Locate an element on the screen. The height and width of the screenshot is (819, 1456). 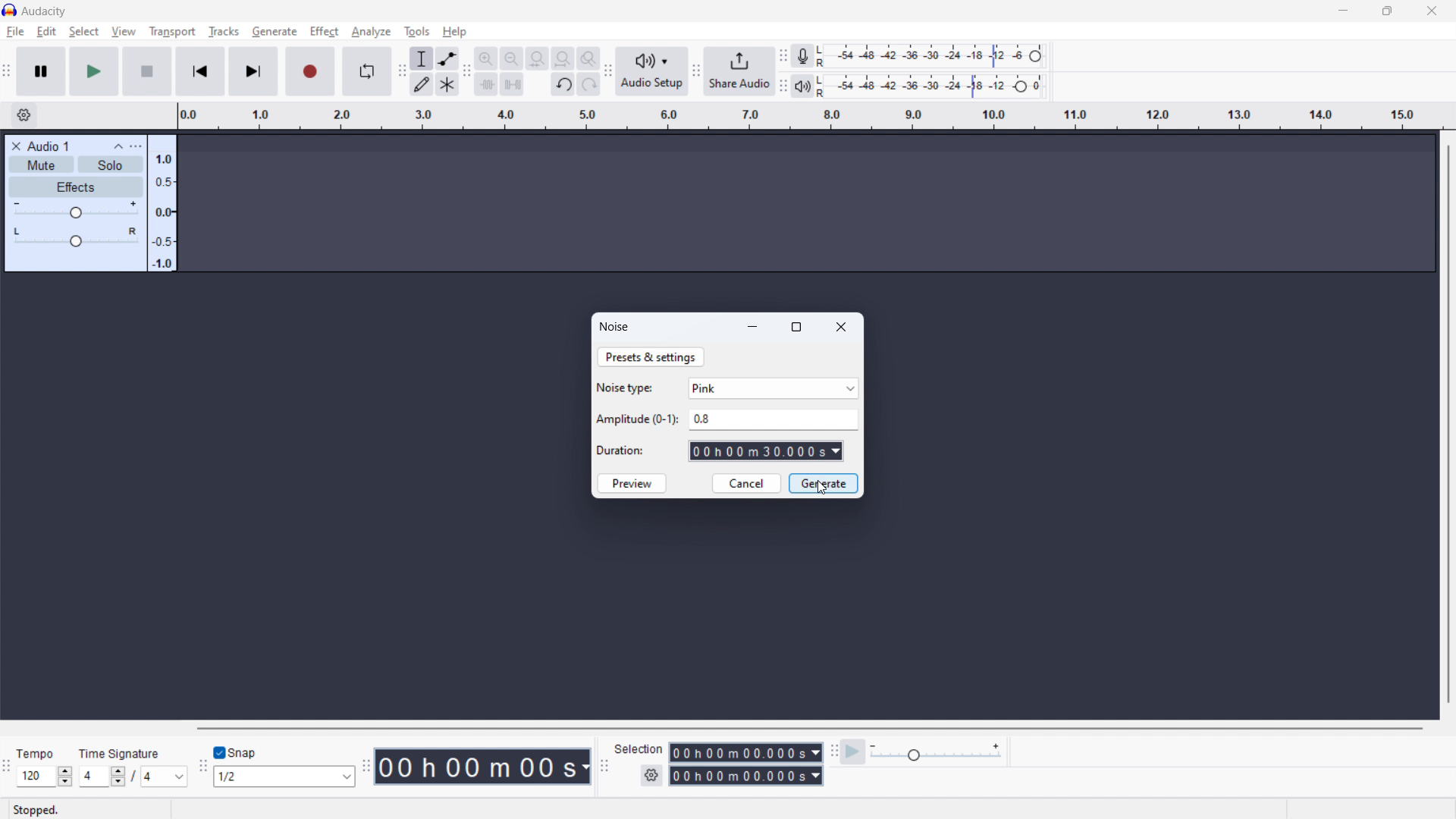
Selection is located at coordinates (640, 748).